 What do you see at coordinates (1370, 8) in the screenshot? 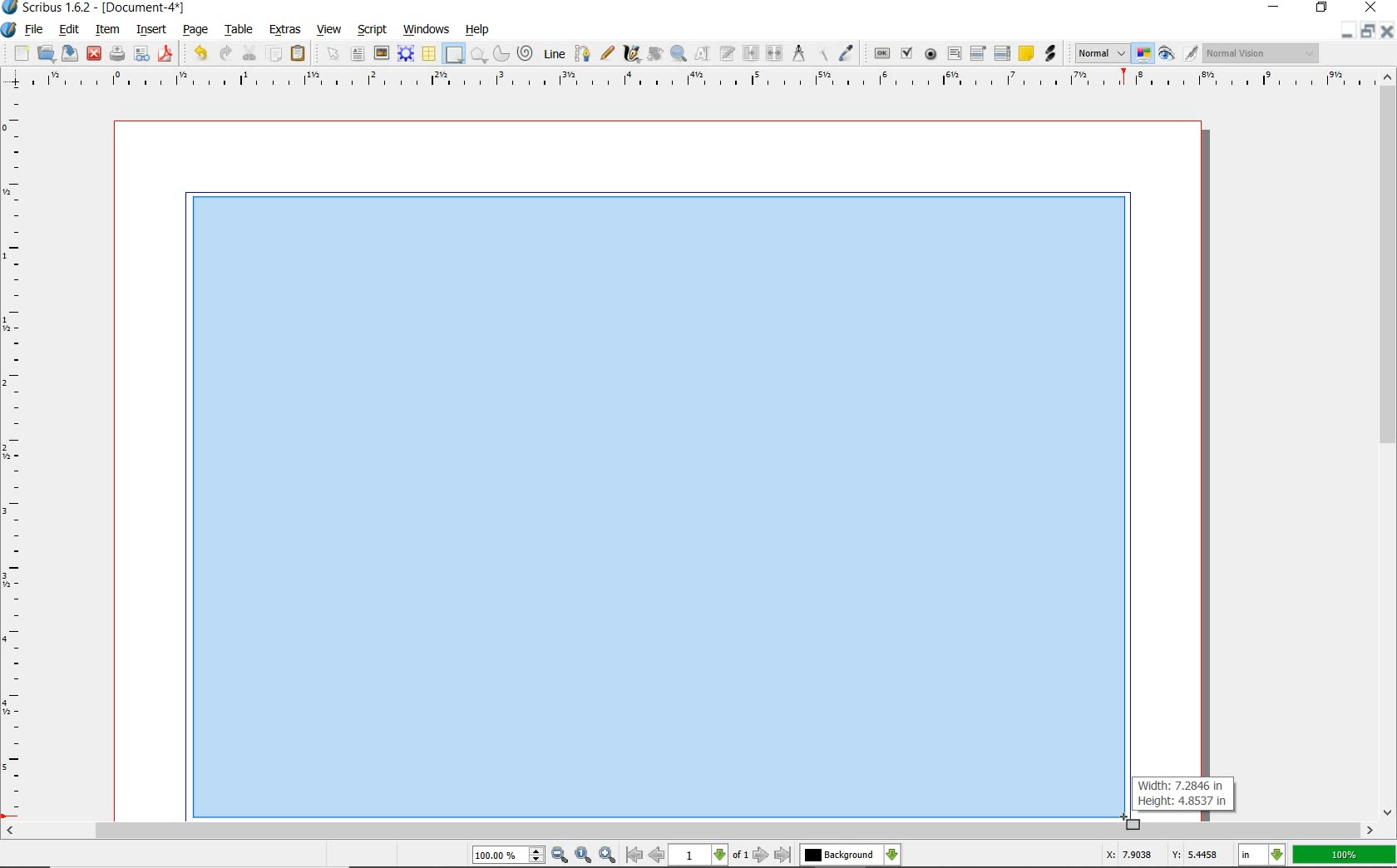
I see `close` at bounding box center [1370, 8].